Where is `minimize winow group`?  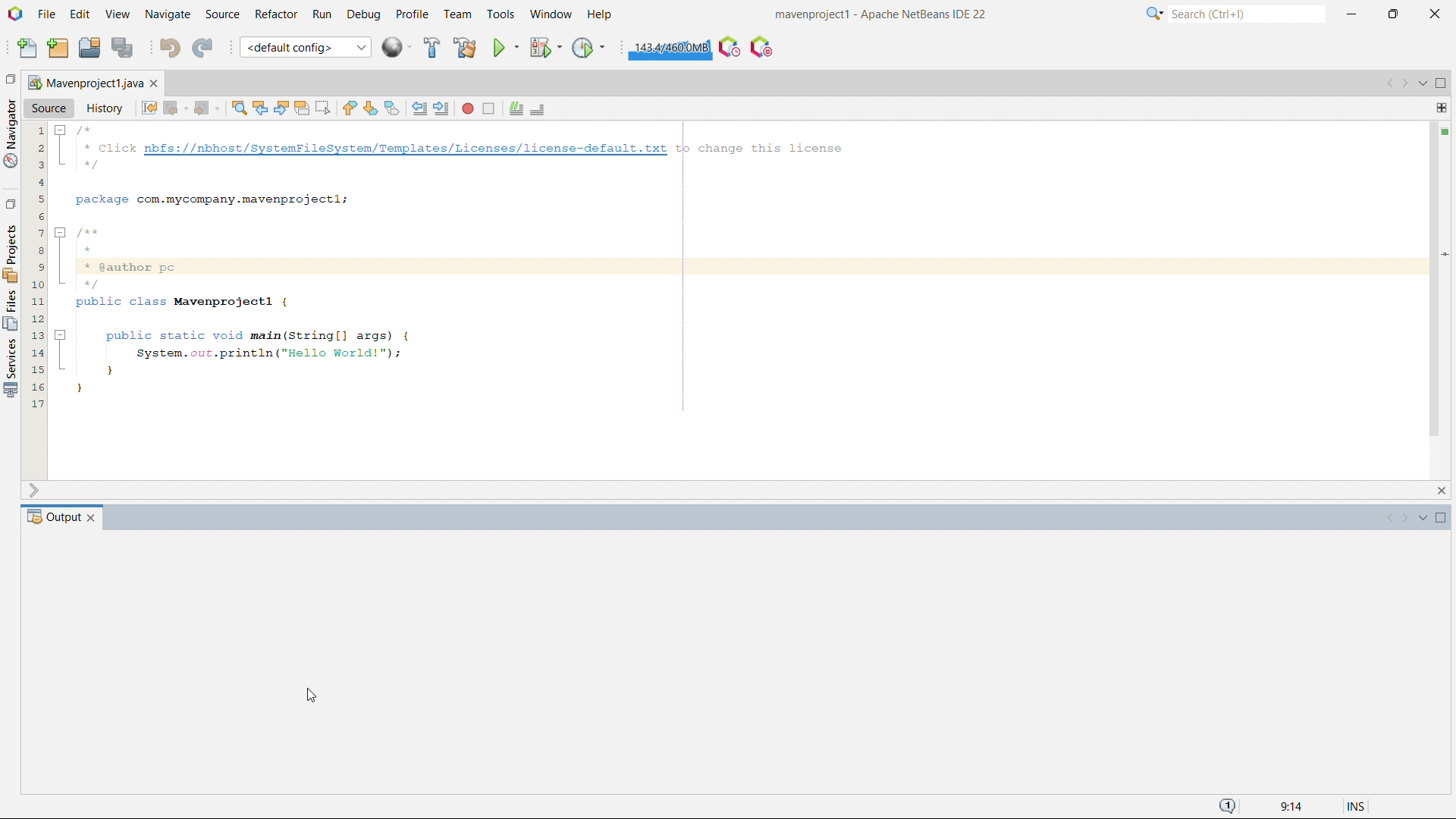
minimize winow group is located at coordinates (1445, 84).